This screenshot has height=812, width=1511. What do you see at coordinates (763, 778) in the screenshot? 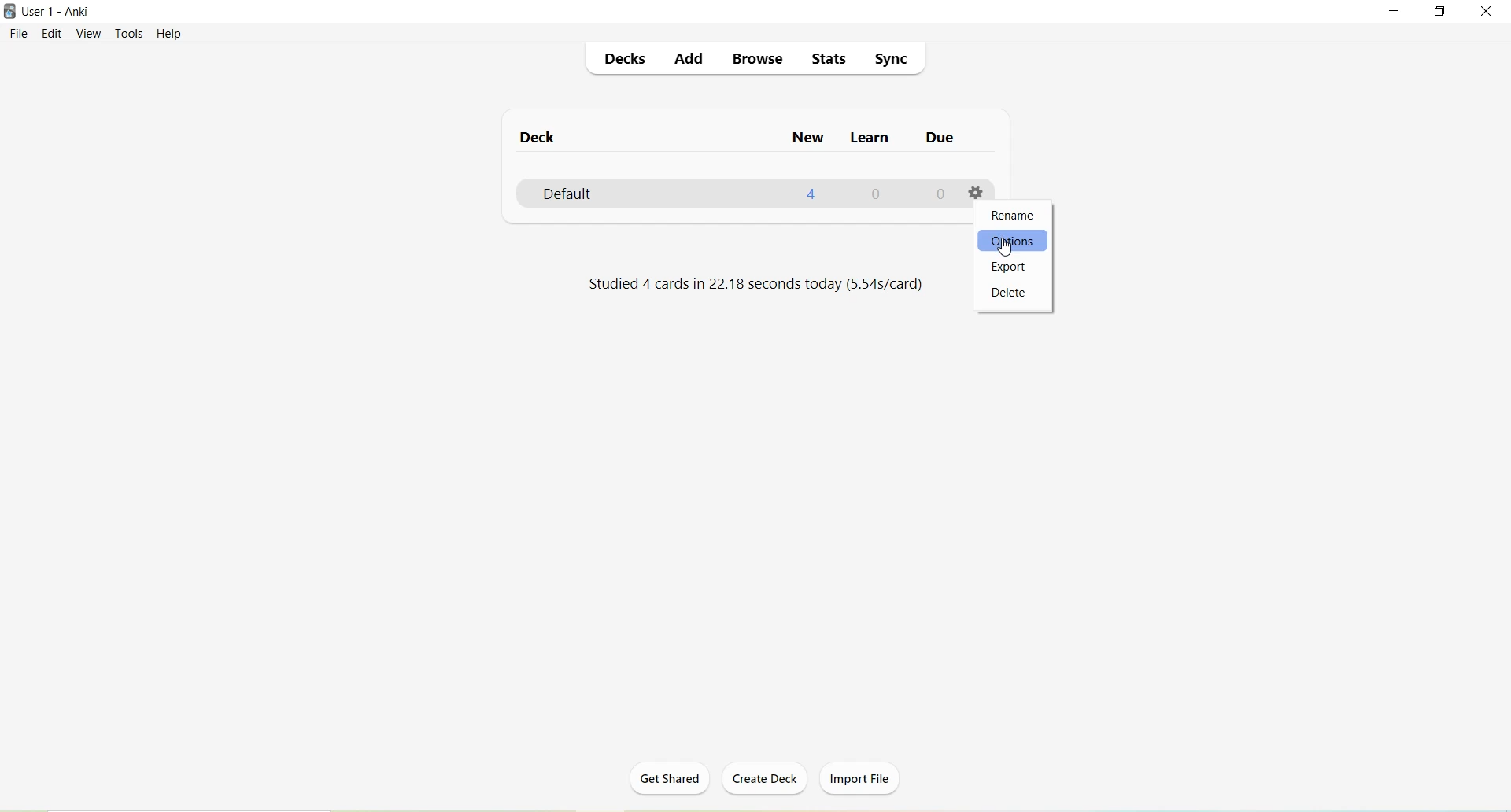
I see `Create Deck` at bounding box center [763, 778].